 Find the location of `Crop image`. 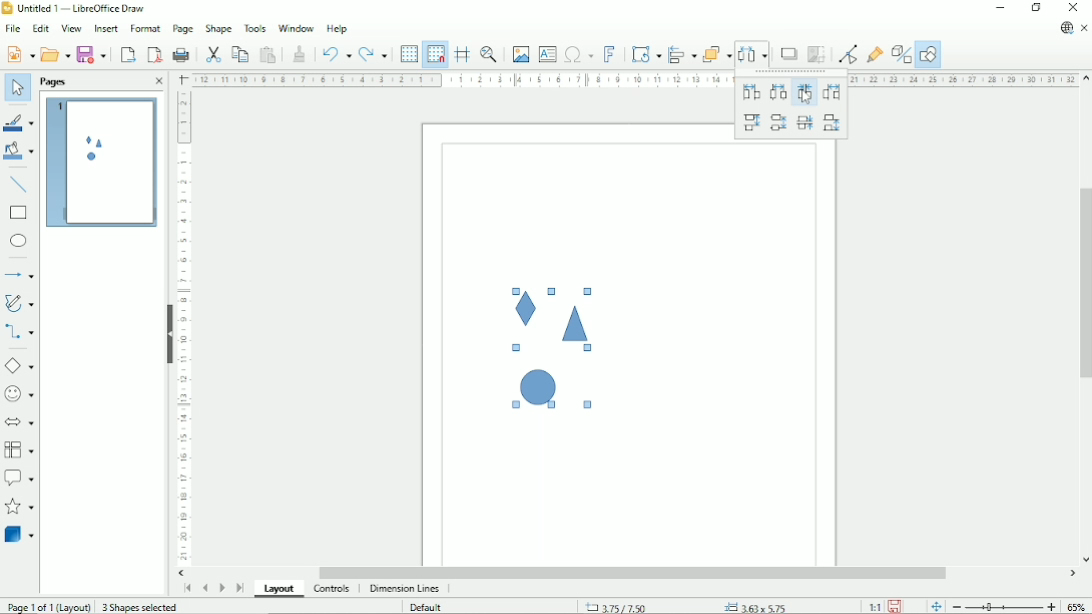

Crop image is located at coordinates (817, 55).